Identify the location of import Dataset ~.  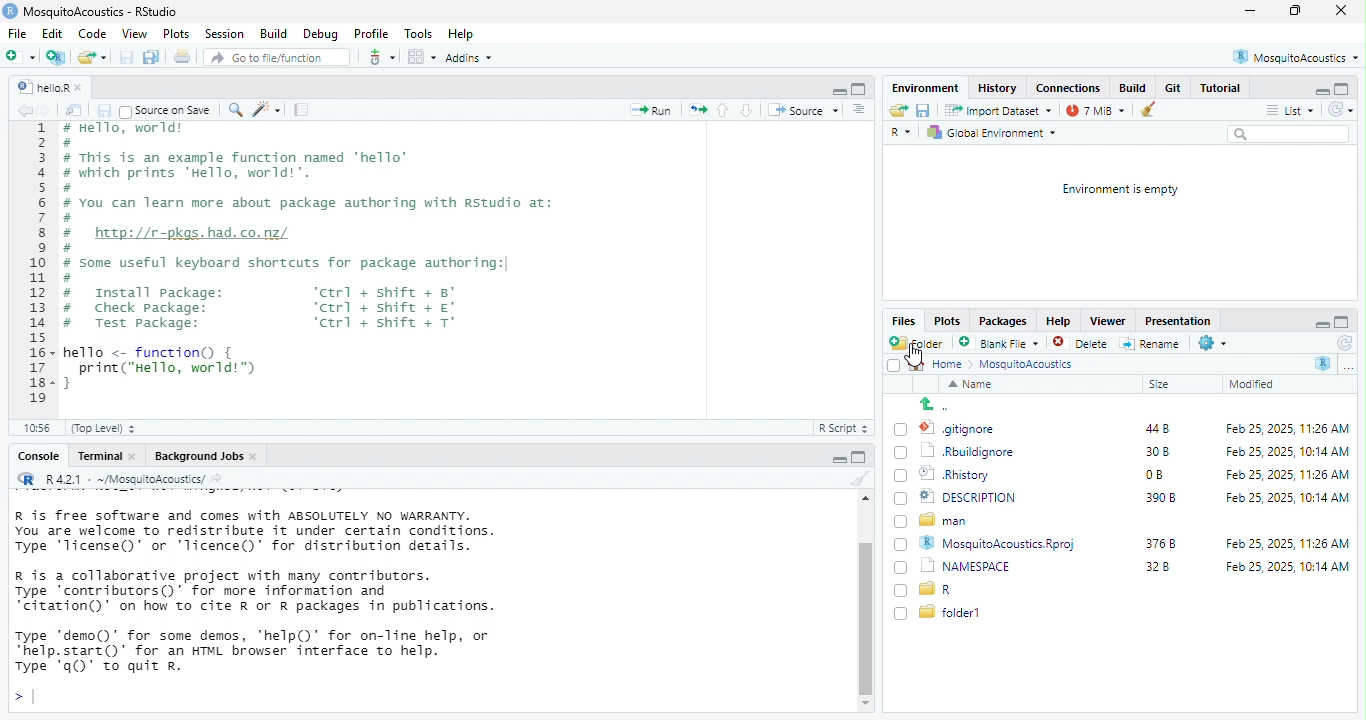
(1002, 110).